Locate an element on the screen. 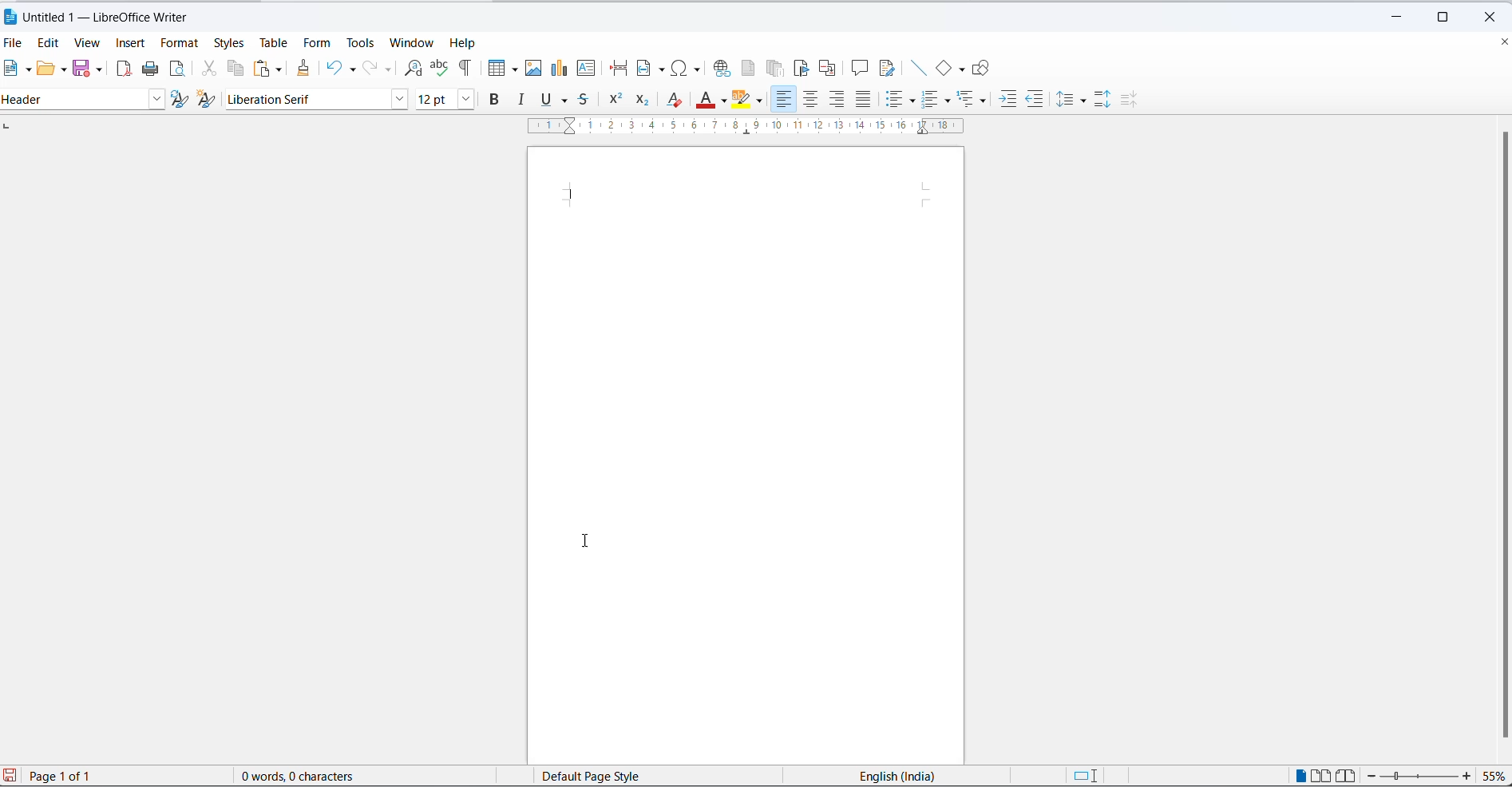  print preview is located at coordinates (177, 70).